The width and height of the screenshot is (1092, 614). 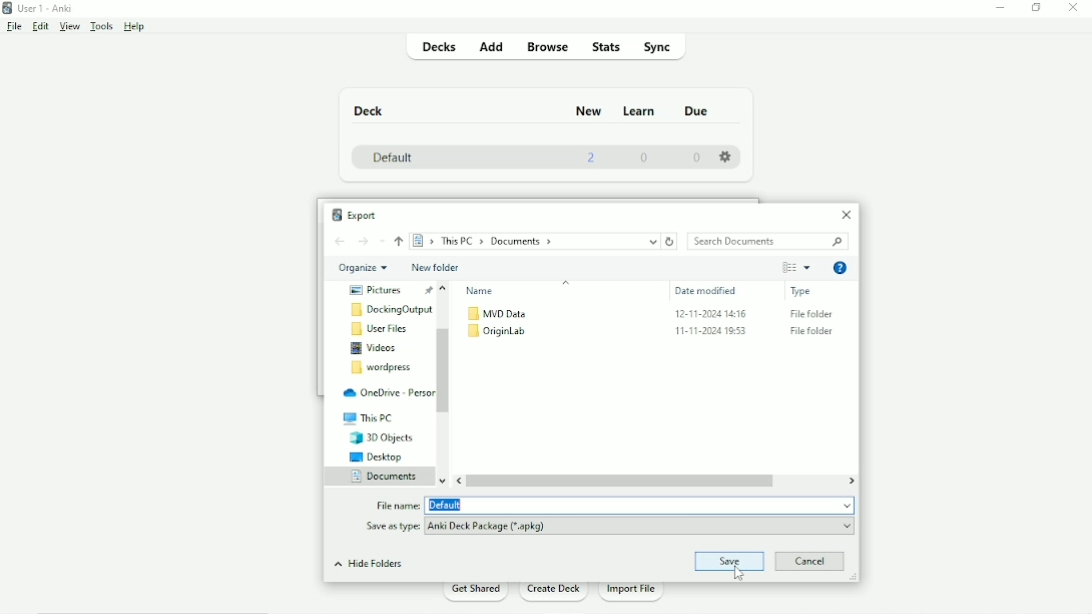 What do you see at coordinates (369, 564) in the screenshot?
I see `Hide Folders` at bounding box center [369, 564].